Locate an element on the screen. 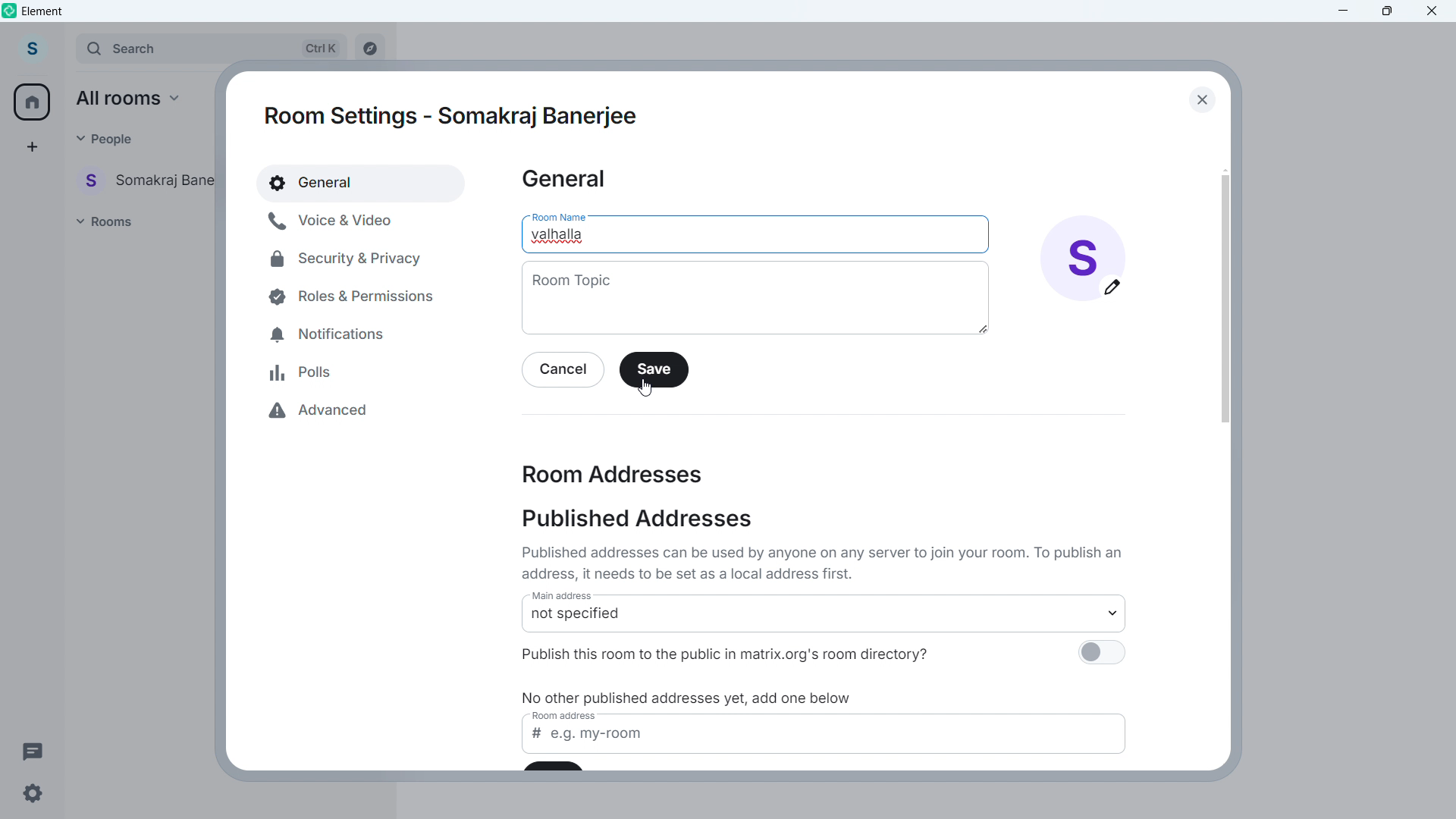  User Conversation   is located at coordinates (149, 179).